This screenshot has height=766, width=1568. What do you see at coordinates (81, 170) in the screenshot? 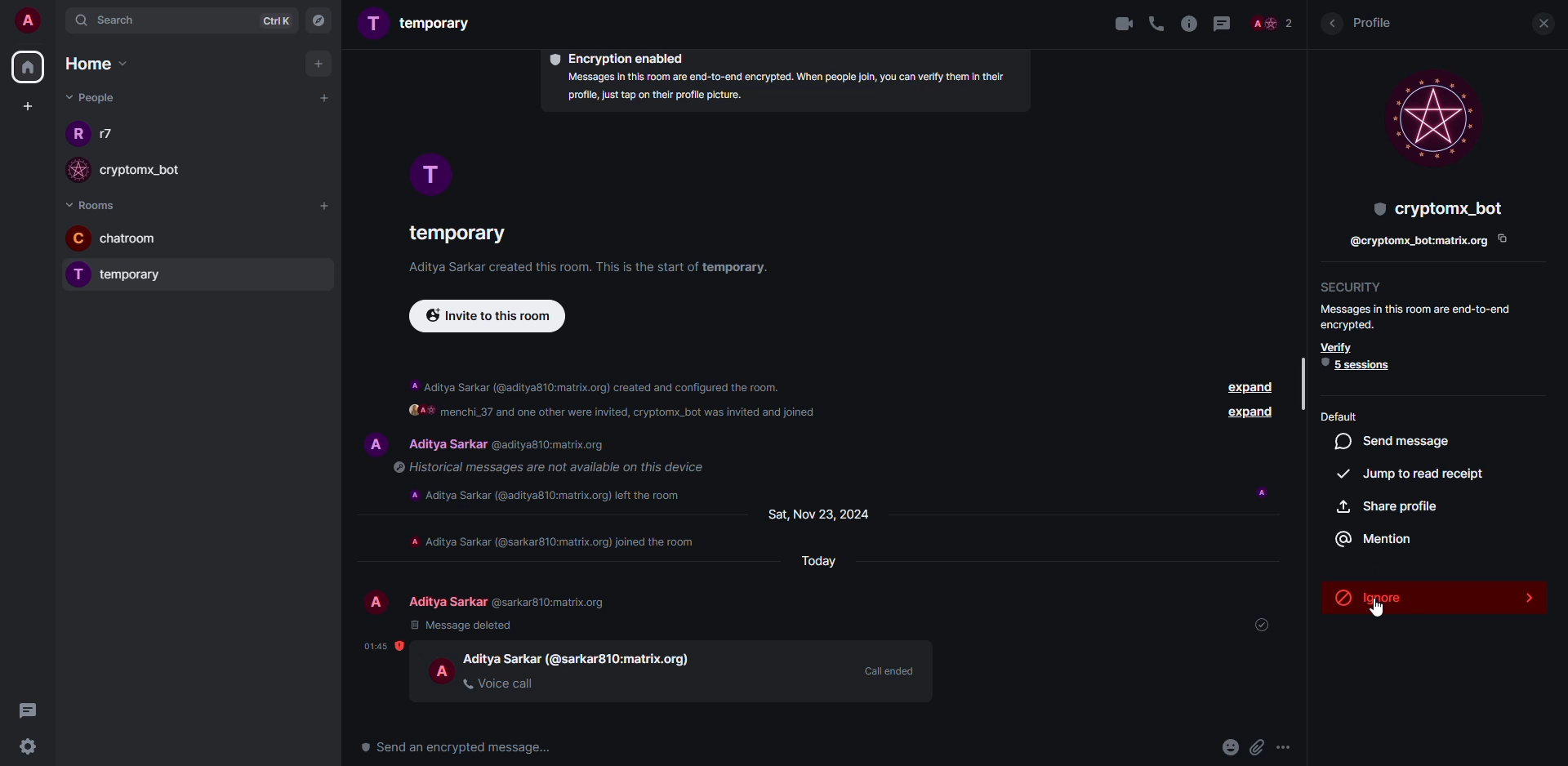
I see `profile image` at bounding box center [81, 170].